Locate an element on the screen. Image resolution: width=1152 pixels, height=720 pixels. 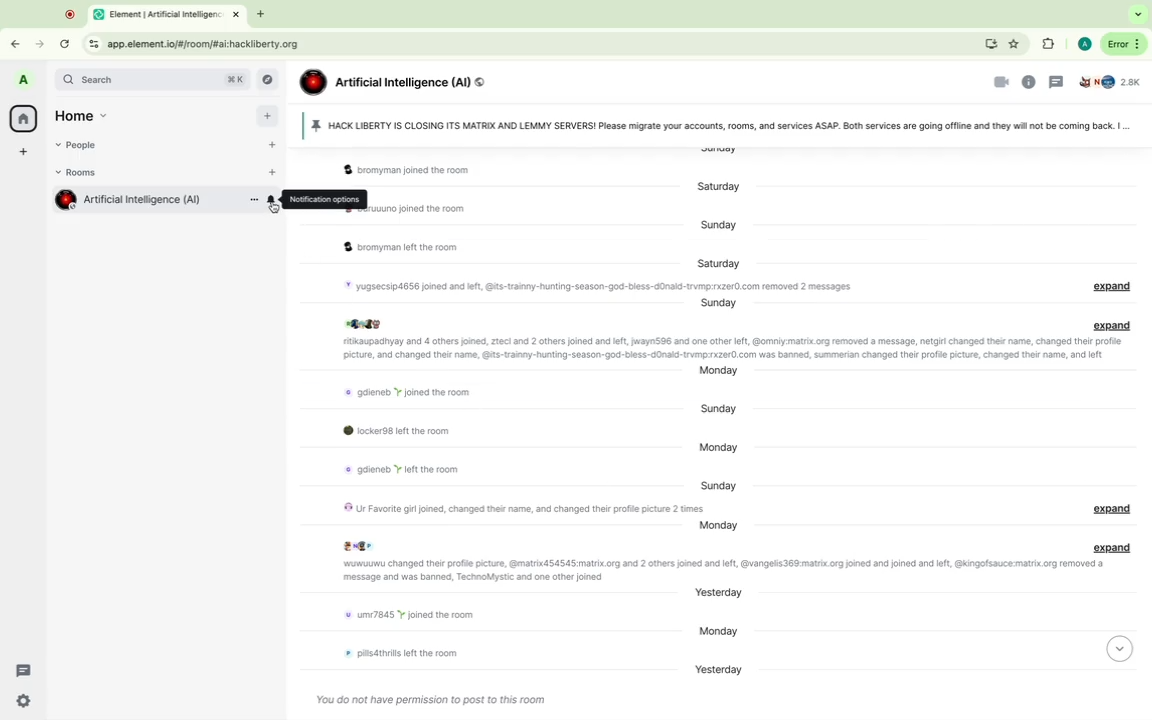
Expand is located at coordinates (1116, 546).